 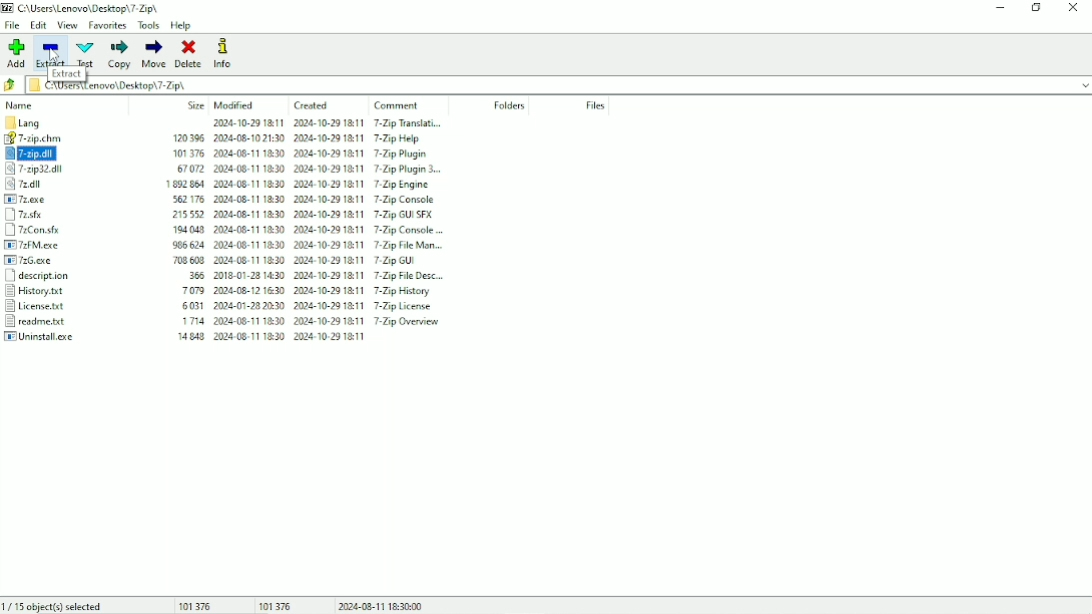 I want to click on Extract, so click(x=51, y=53).